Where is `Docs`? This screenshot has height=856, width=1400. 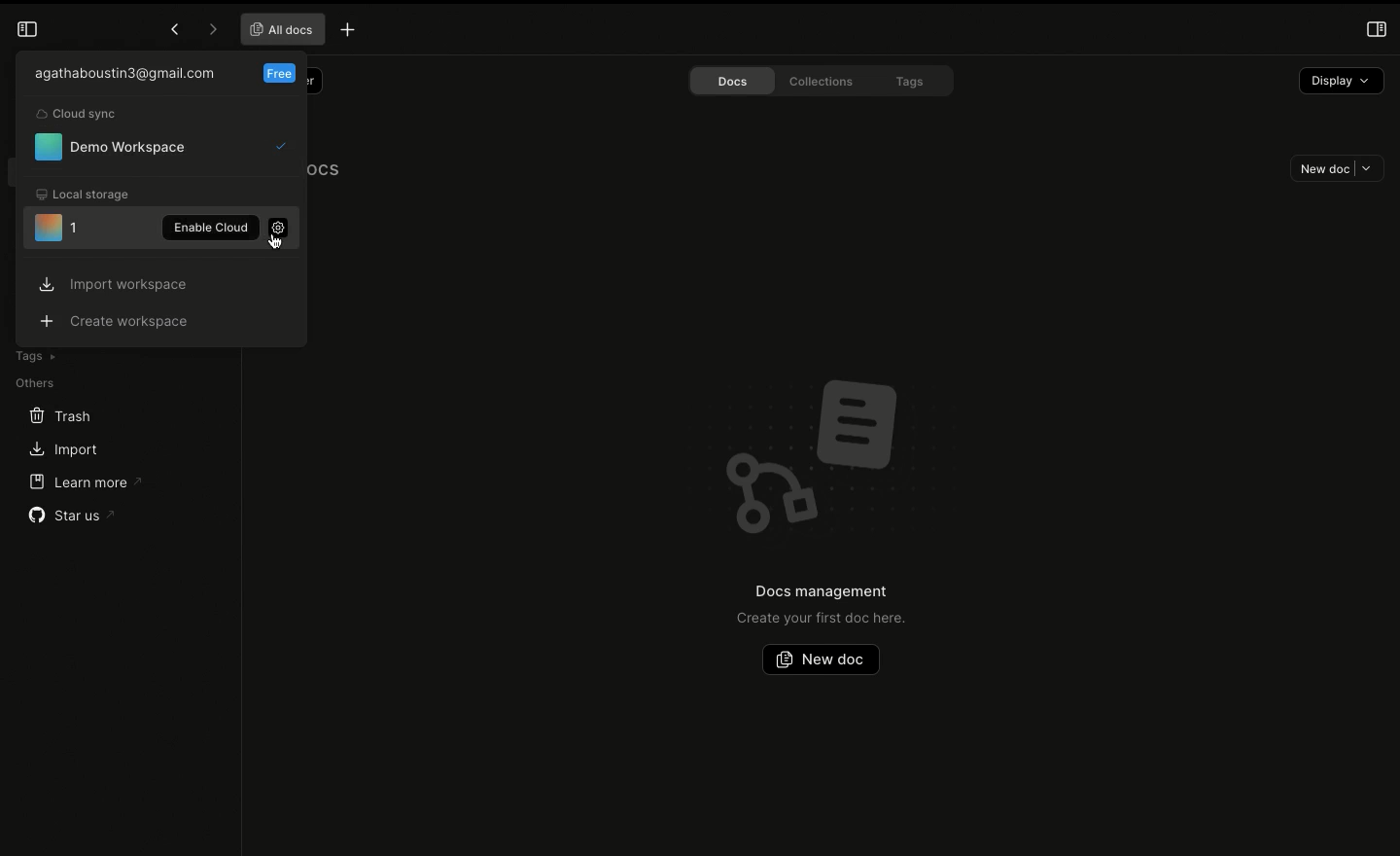
Docs is located at coordinates (732, 80).